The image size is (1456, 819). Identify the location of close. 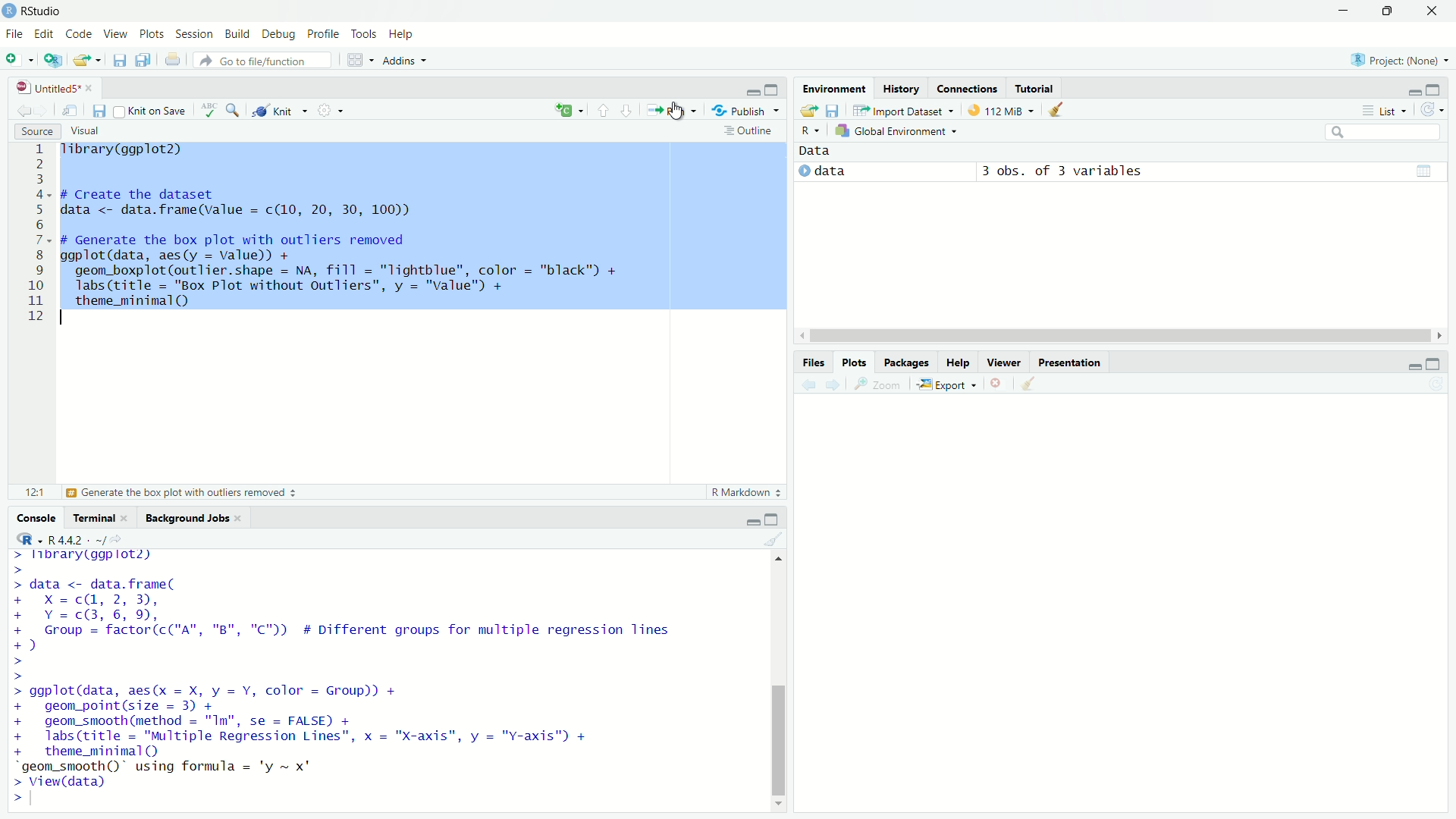
(1437, 13).